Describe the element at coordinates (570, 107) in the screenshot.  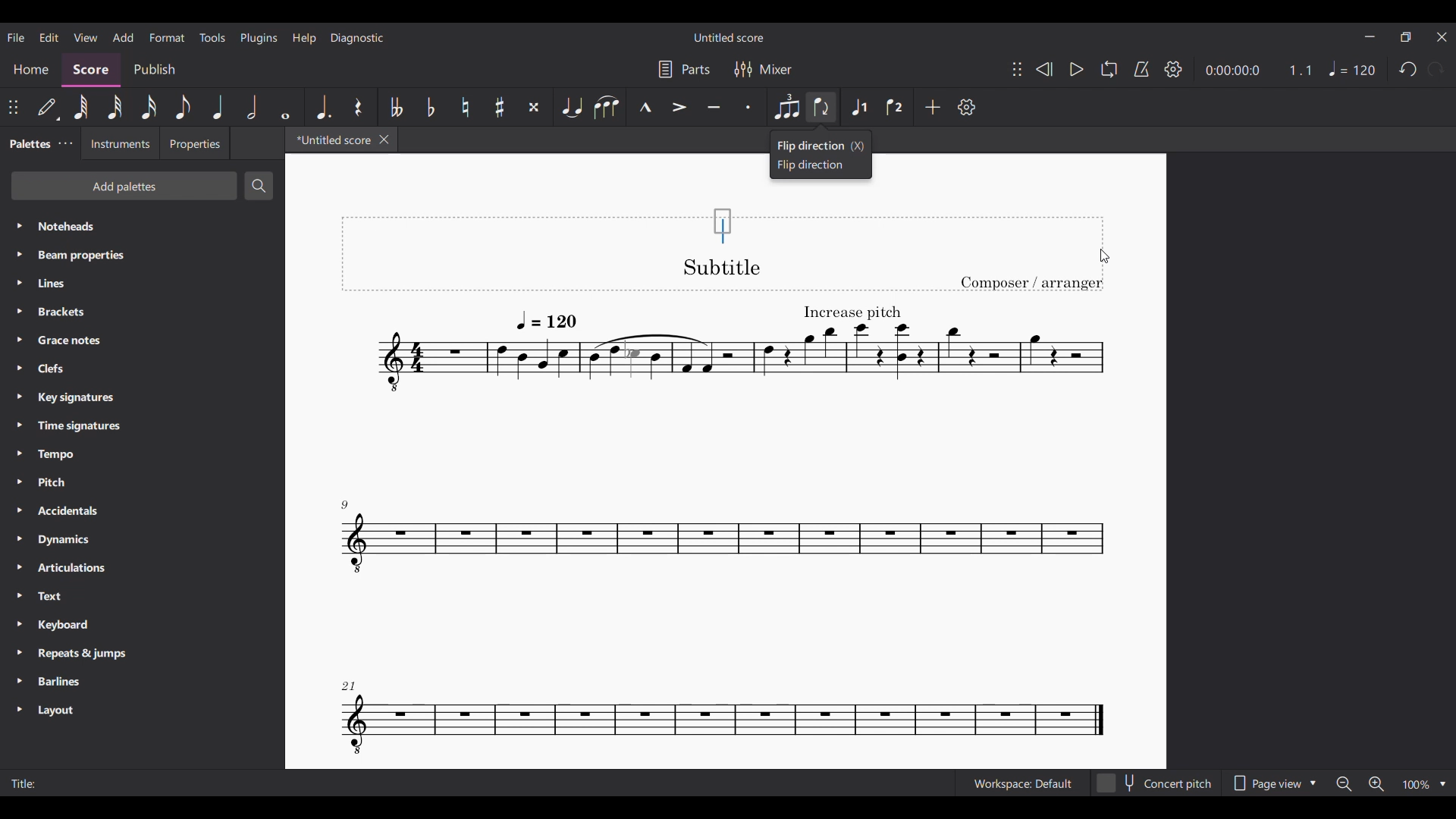
I see `Tie` at that location.